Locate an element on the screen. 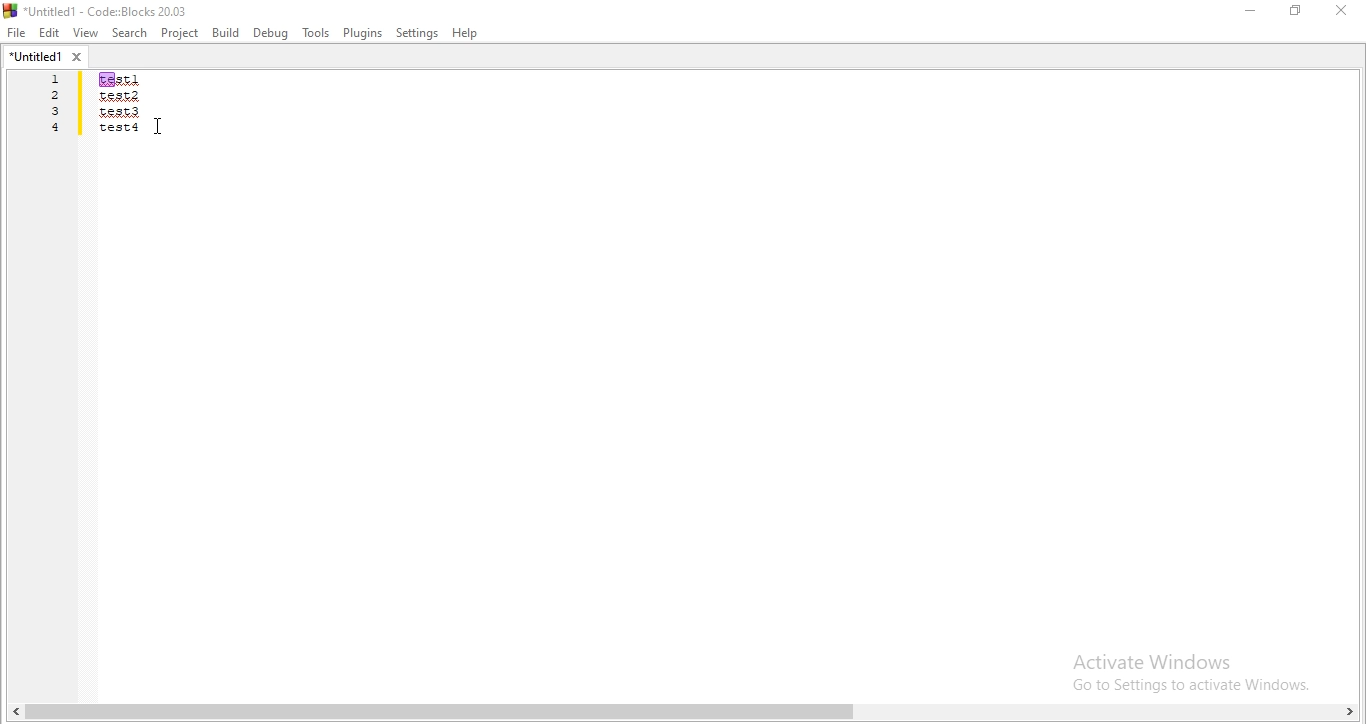 The width and height of the screenshot is (1366, 724). Search  is located at coordinates (131, 34).